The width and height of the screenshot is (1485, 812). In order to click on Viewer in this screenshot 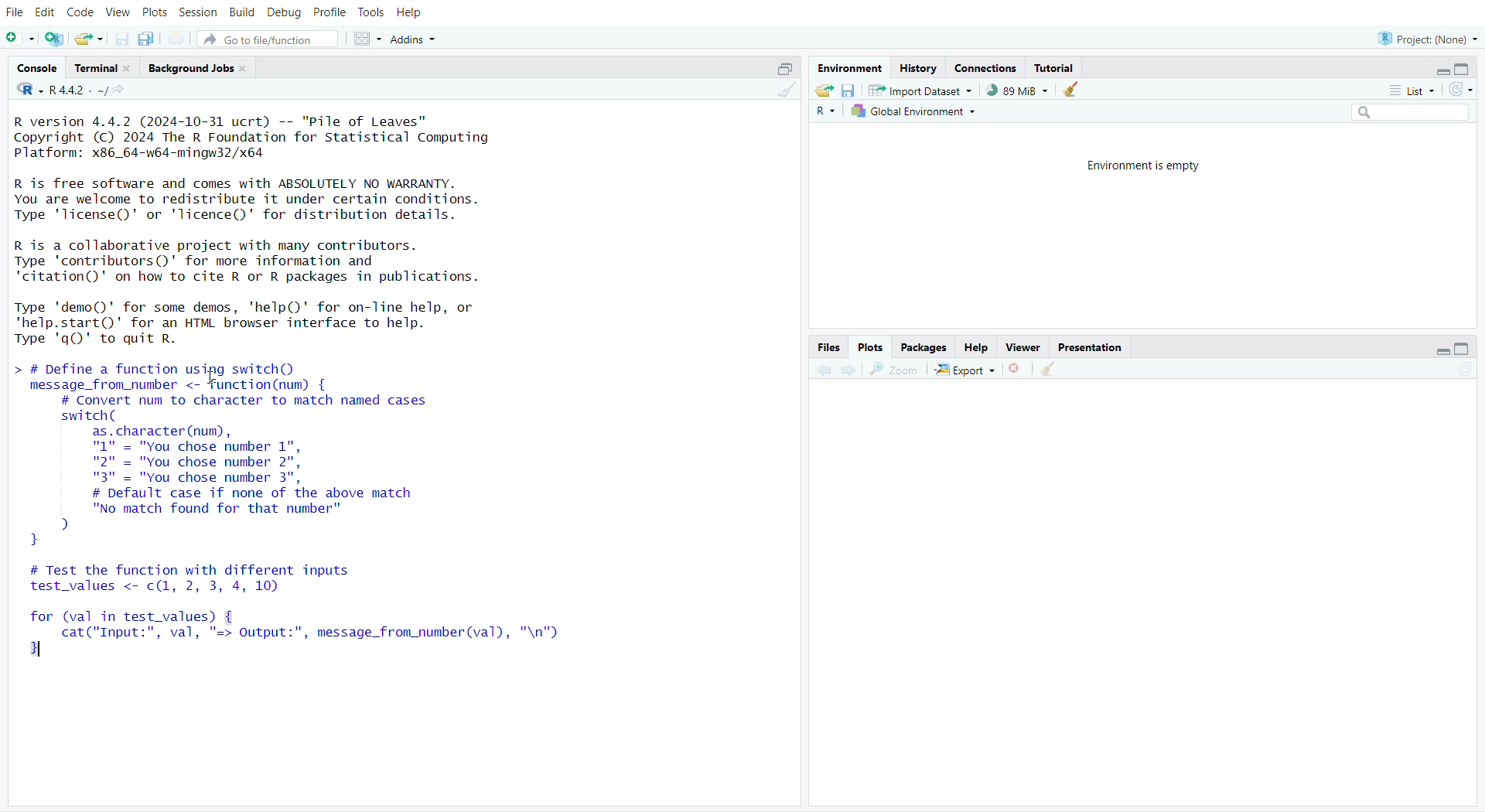, I will do `click(1021, 346)`.